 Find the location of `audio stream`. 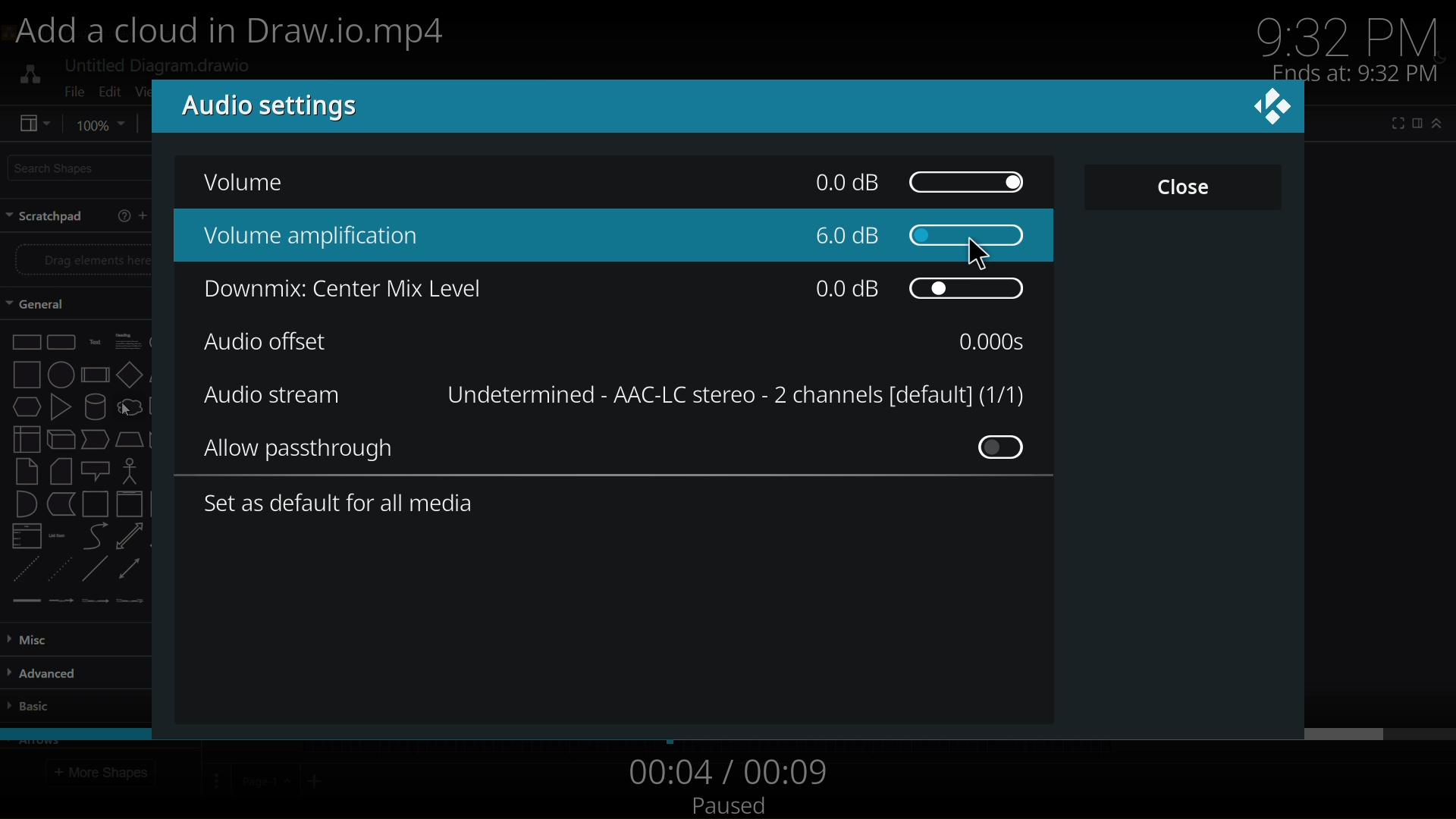

audio stream is located at coordinates (271, 394).